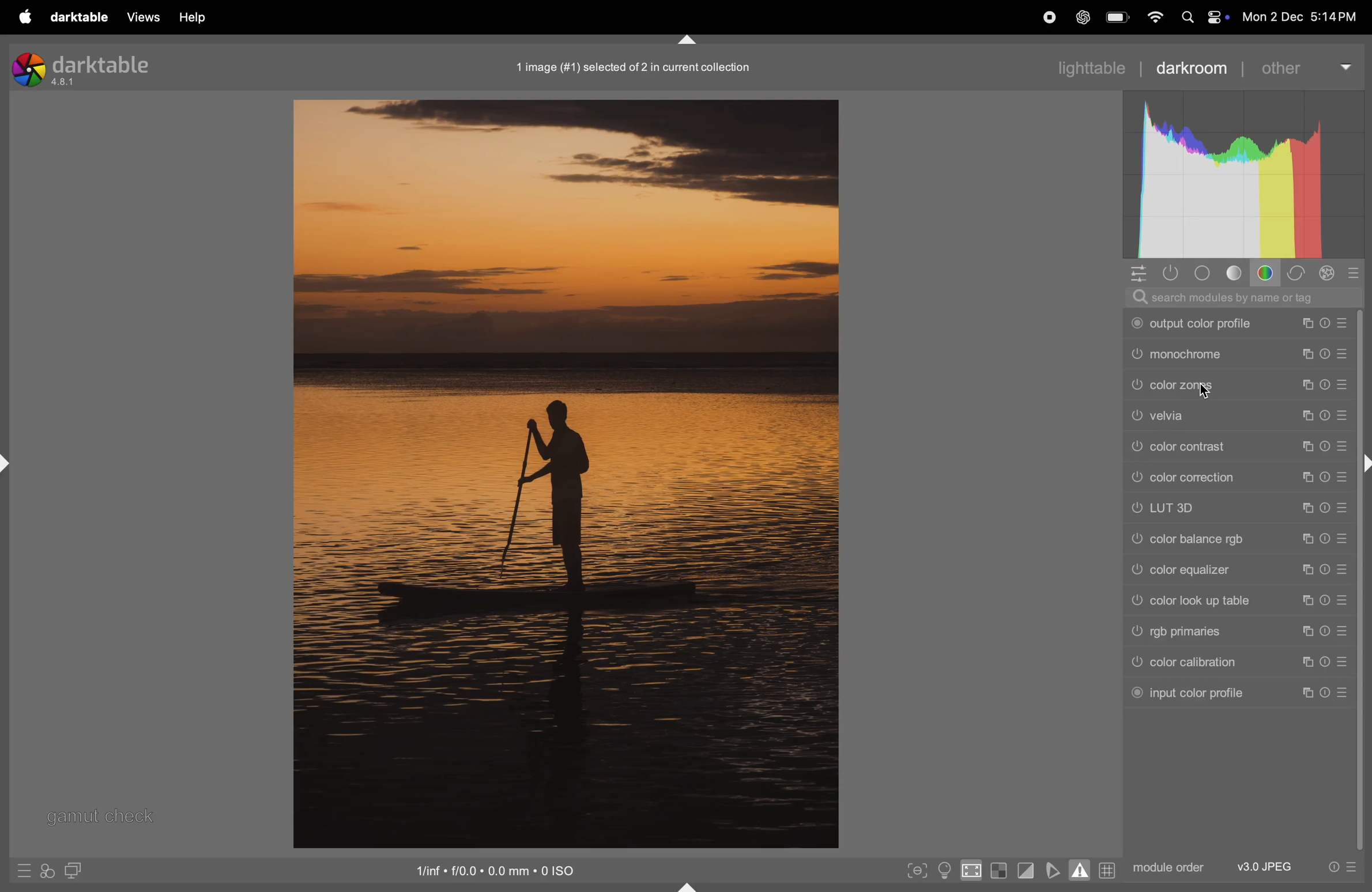  What do you see at coordinates (1245, 296) in the screenshot?
I see `search bar` at bounding box center [1245, 296].